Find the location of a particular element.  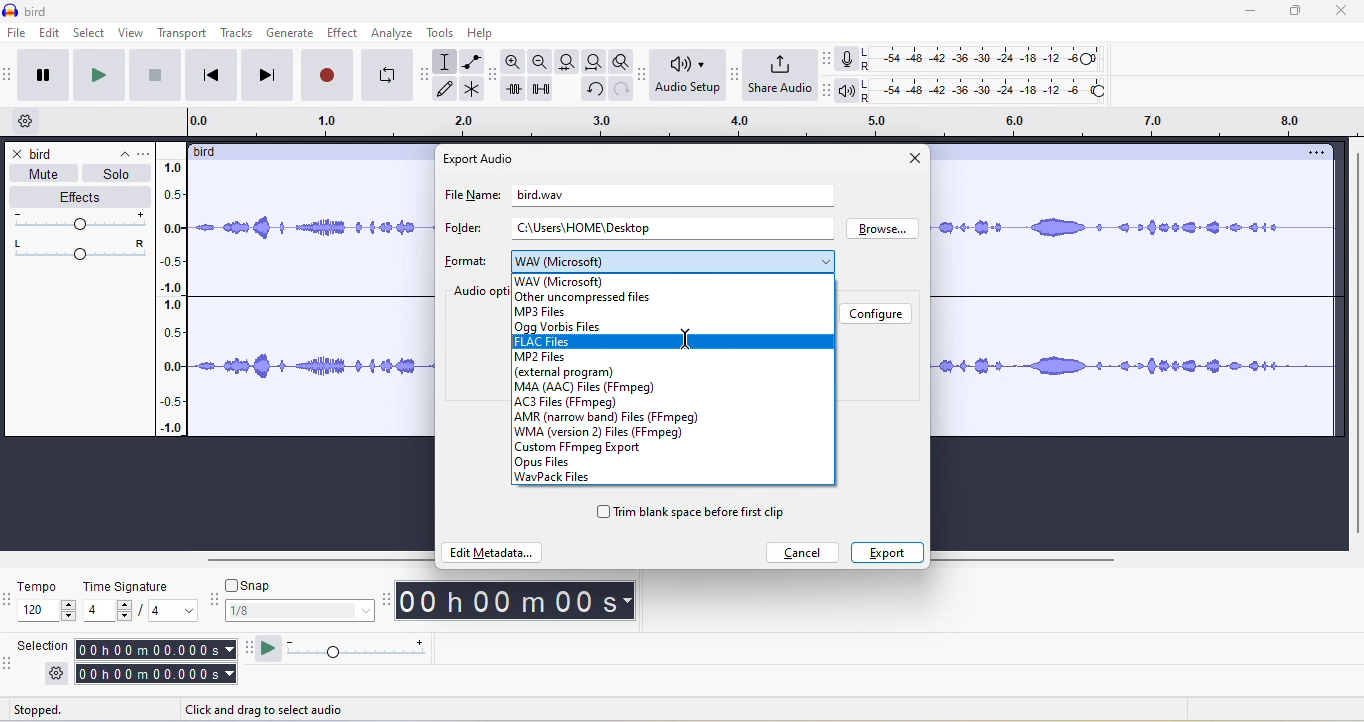

folder is located at coordinates (461, 230).